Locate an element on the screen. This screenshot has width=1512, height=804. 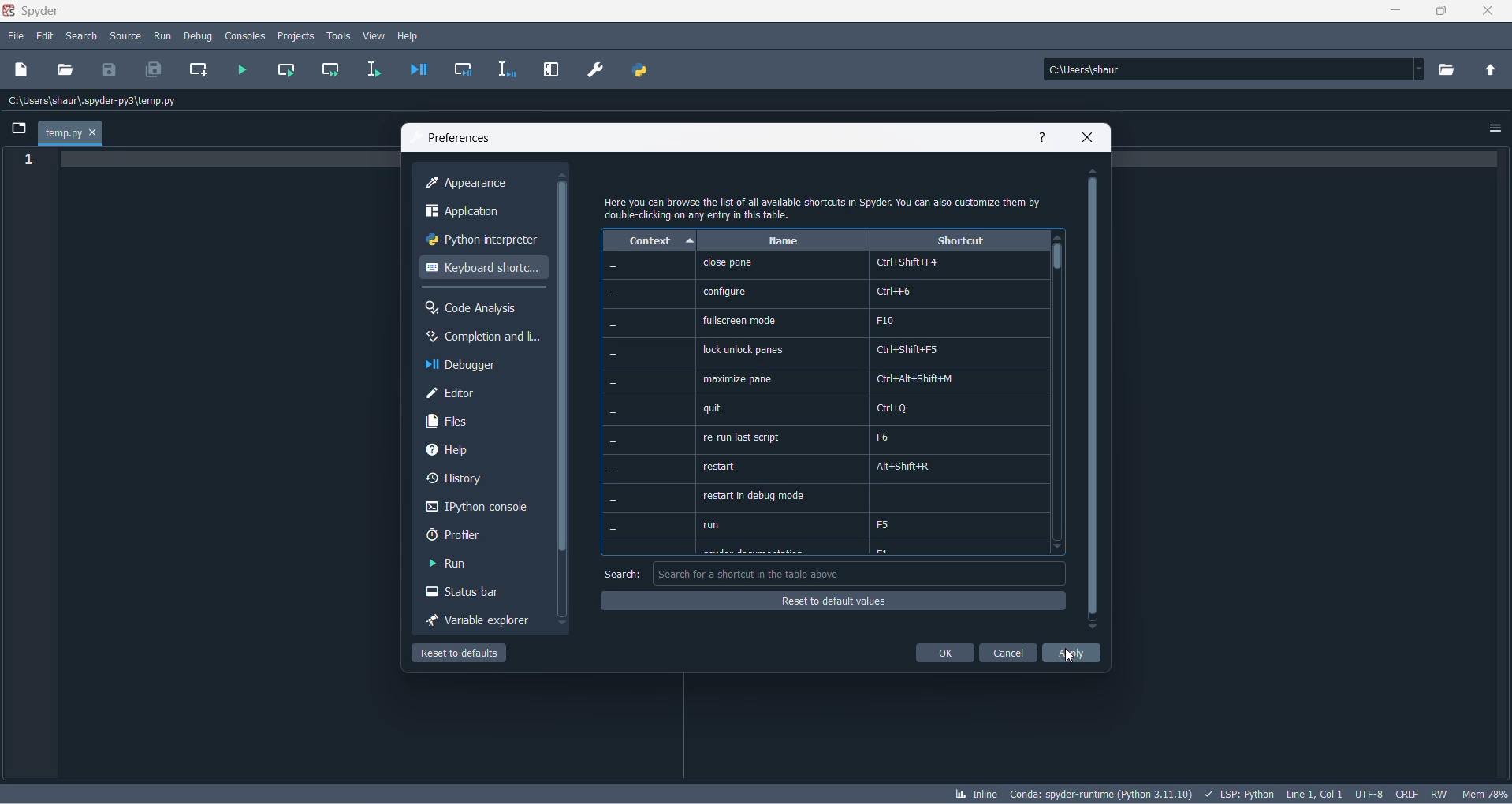
search is located at coordinates (86, 37).